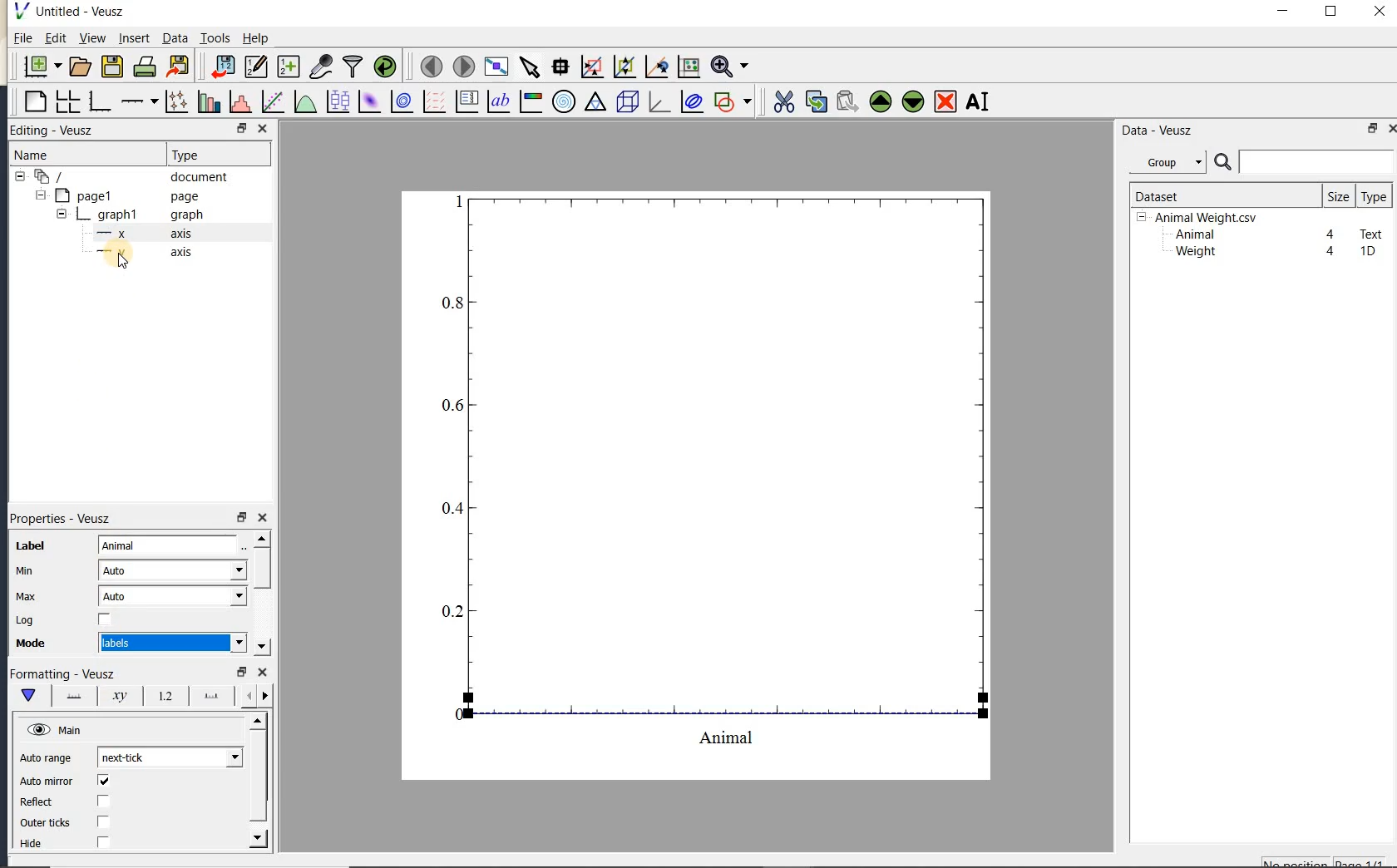 This screenshot has height=868, width=1397. I want to click on reload linked datasets, so click(385, 65).